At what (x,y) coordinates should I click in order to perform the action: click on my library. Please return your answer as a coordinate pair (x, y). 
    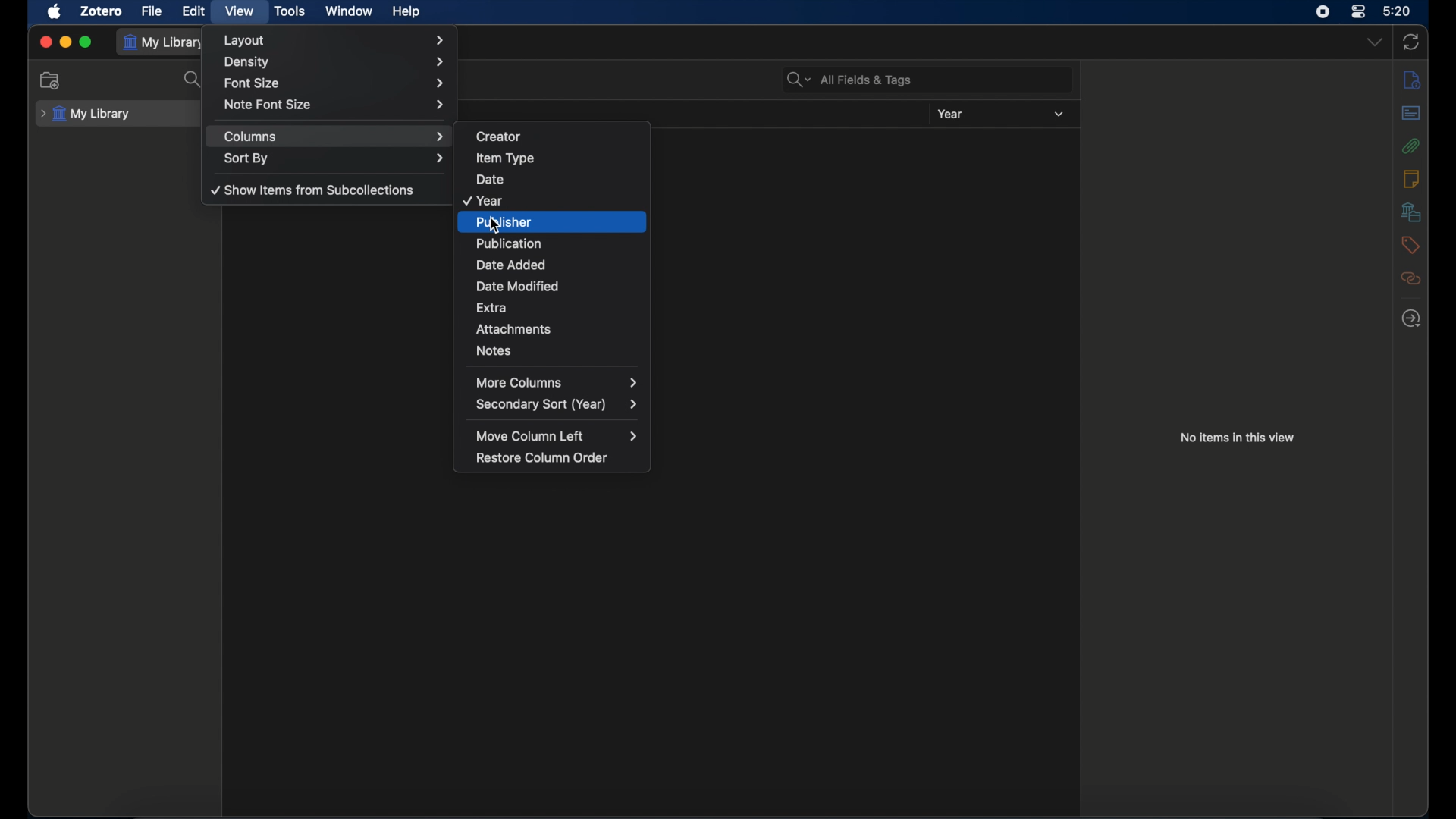
    Looking at the image, I should click on (165, 43).